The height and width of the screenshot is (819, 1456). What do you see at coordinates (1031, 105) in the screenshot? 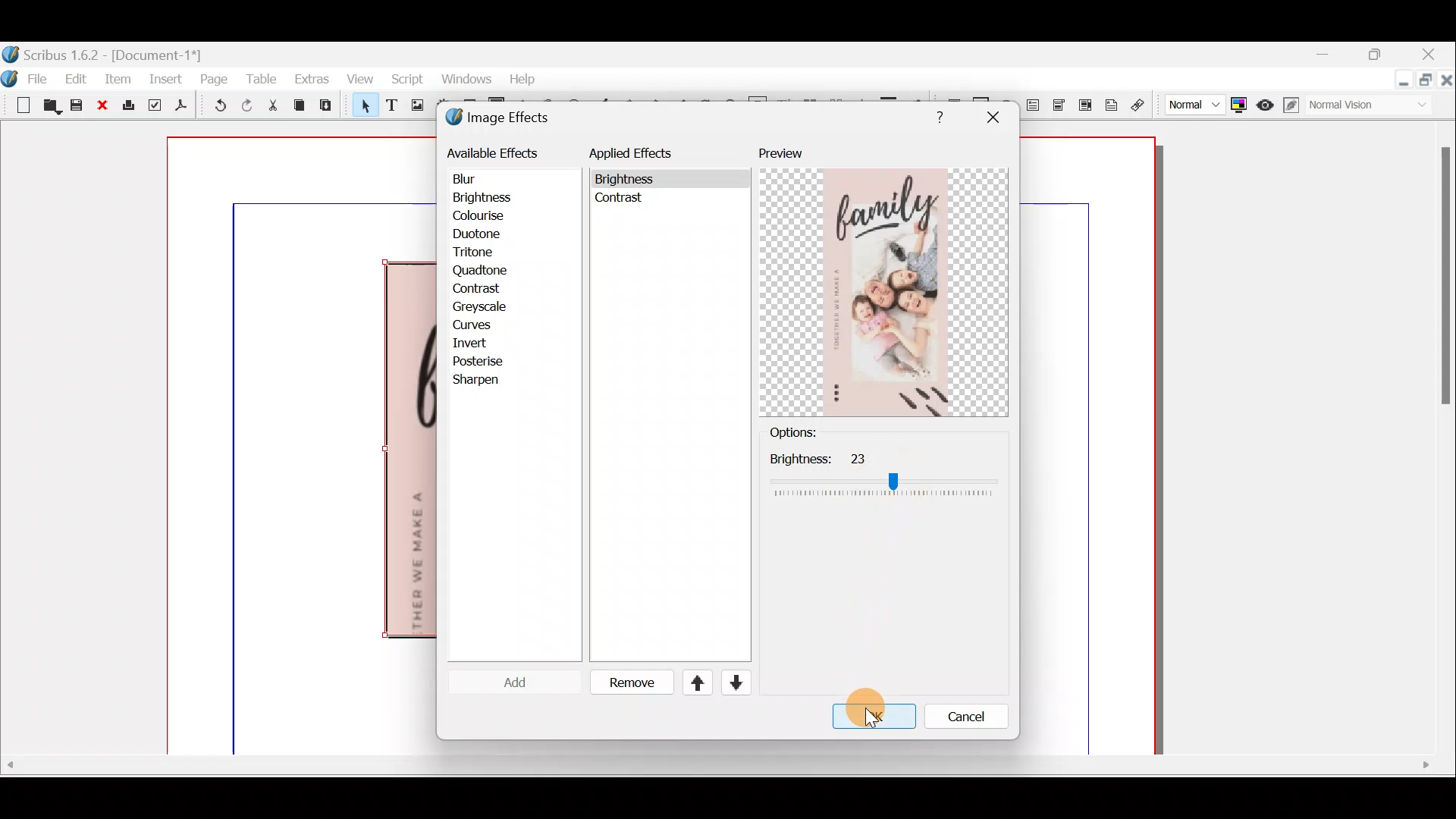
I see `PDF text field` at bounding box center [1031, 105].